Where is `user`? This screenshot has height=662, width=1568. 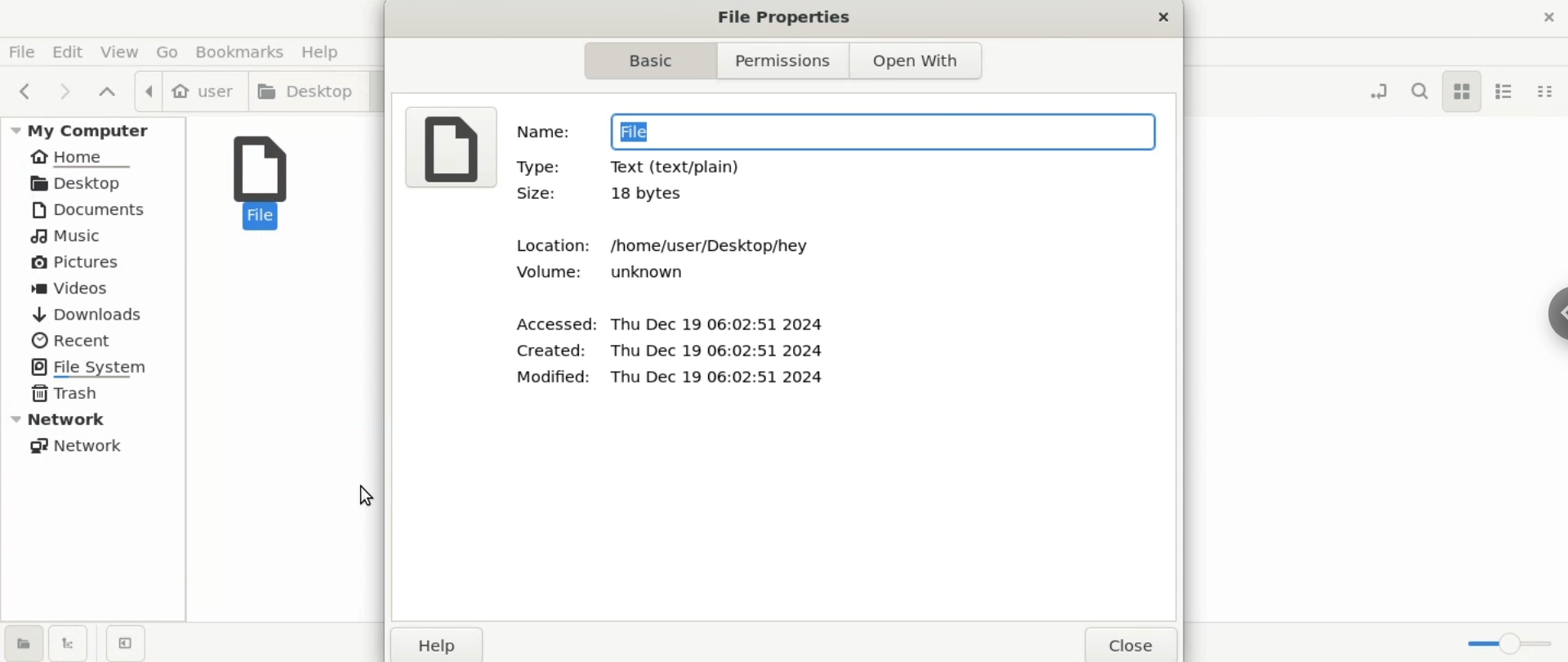 user is located at coordinates (191, 92).